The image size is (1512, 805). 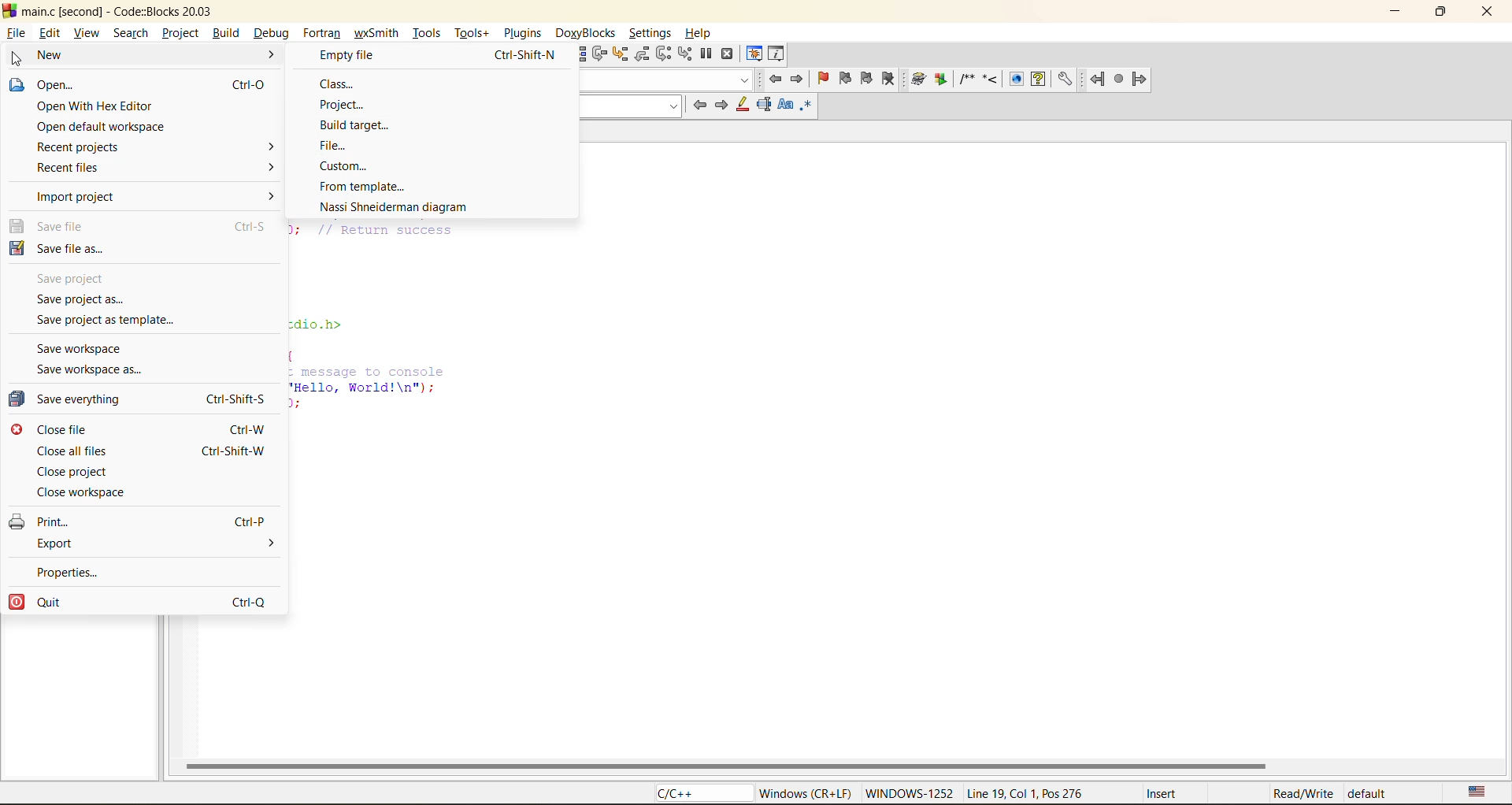 What do you see at coordinates (471, 33) in the screenshot?
I see `tools+` at bounding box center [471, 33].